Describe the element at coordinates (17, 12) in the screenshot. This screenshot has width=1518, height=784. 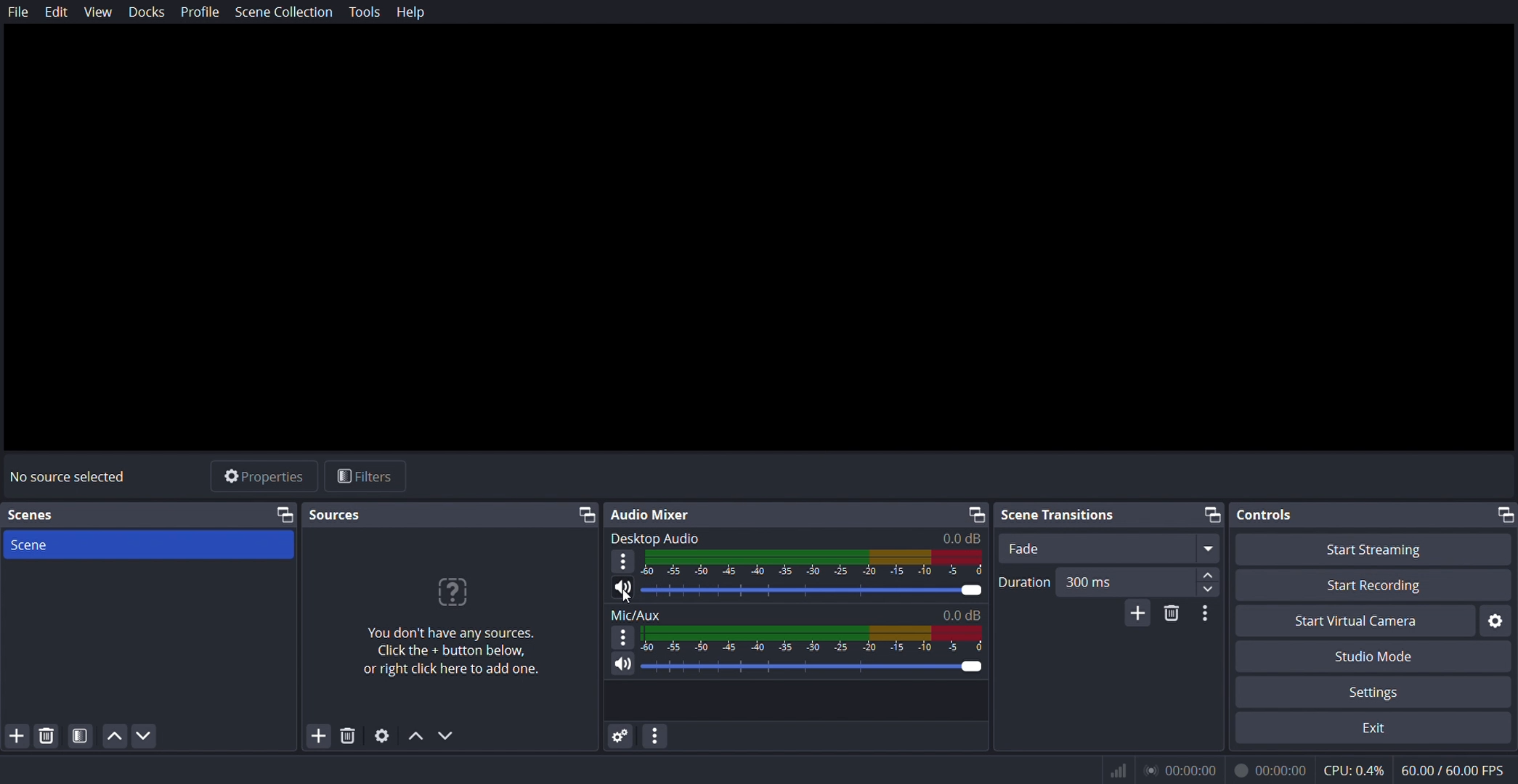
I see `file` at that location.